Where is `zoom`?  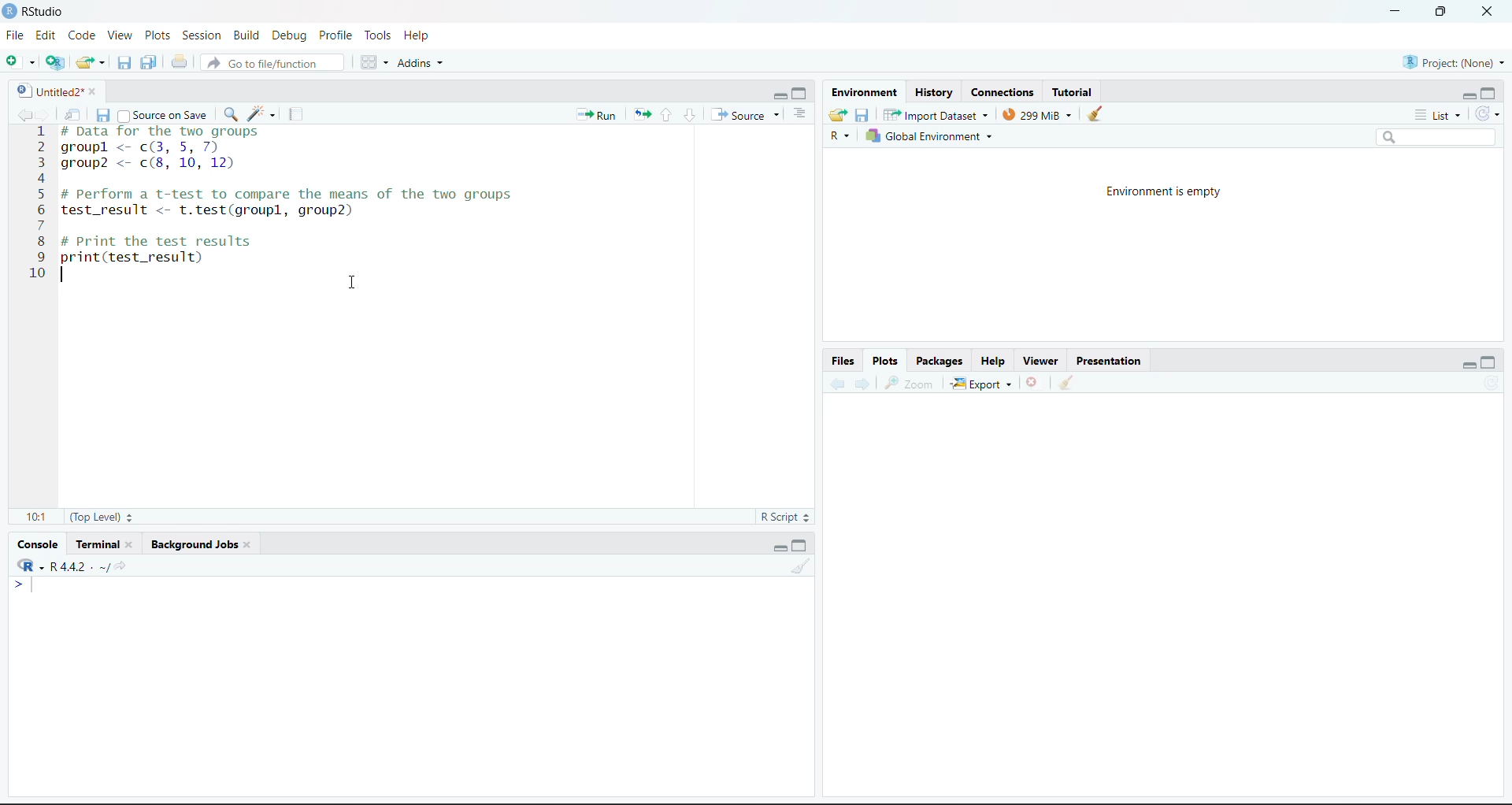 zoom is located at coordinates (907, 382).